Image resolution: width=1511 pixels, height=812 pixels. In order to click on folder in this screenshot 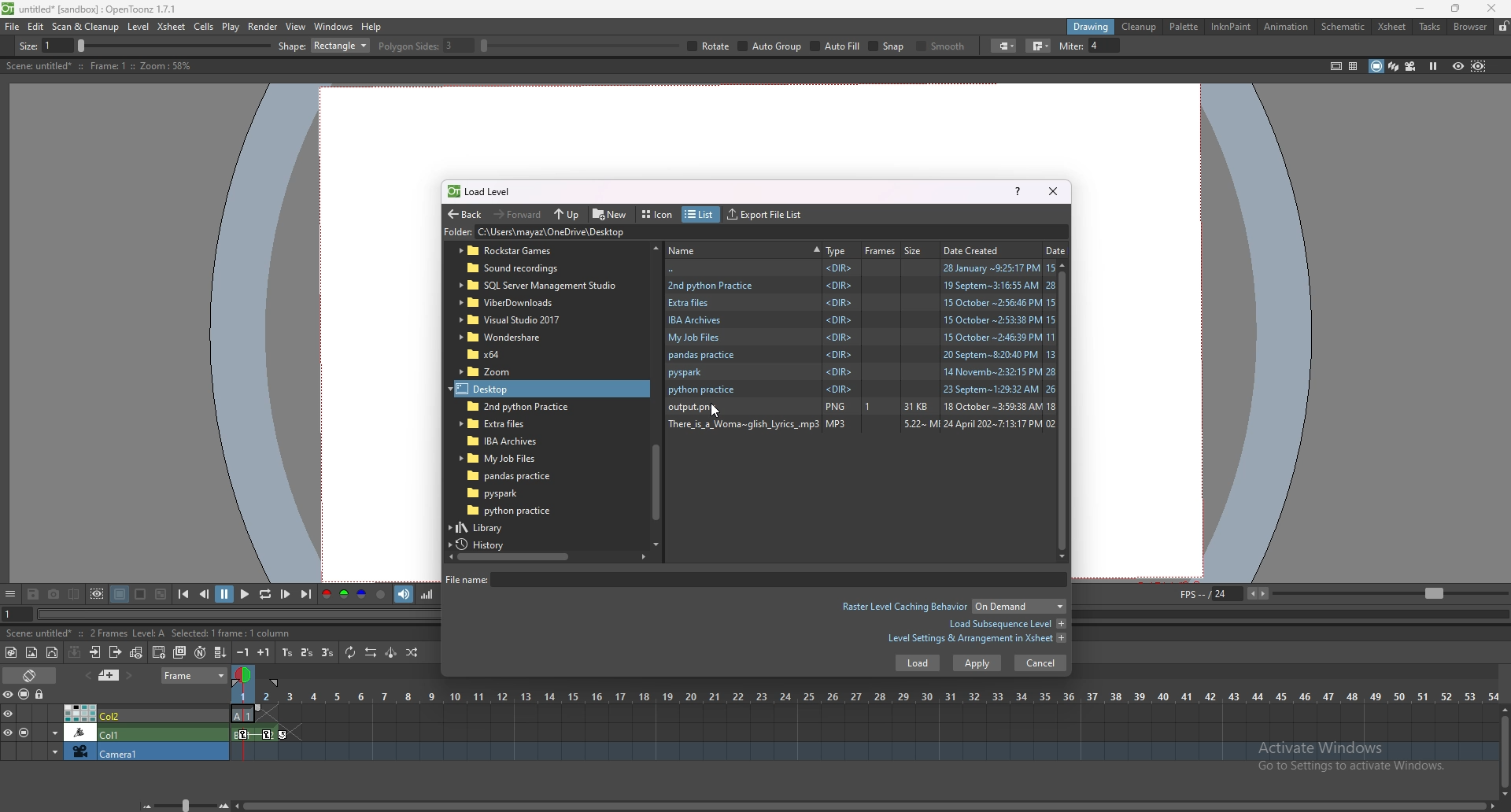, I will do `click(862, 372)`.